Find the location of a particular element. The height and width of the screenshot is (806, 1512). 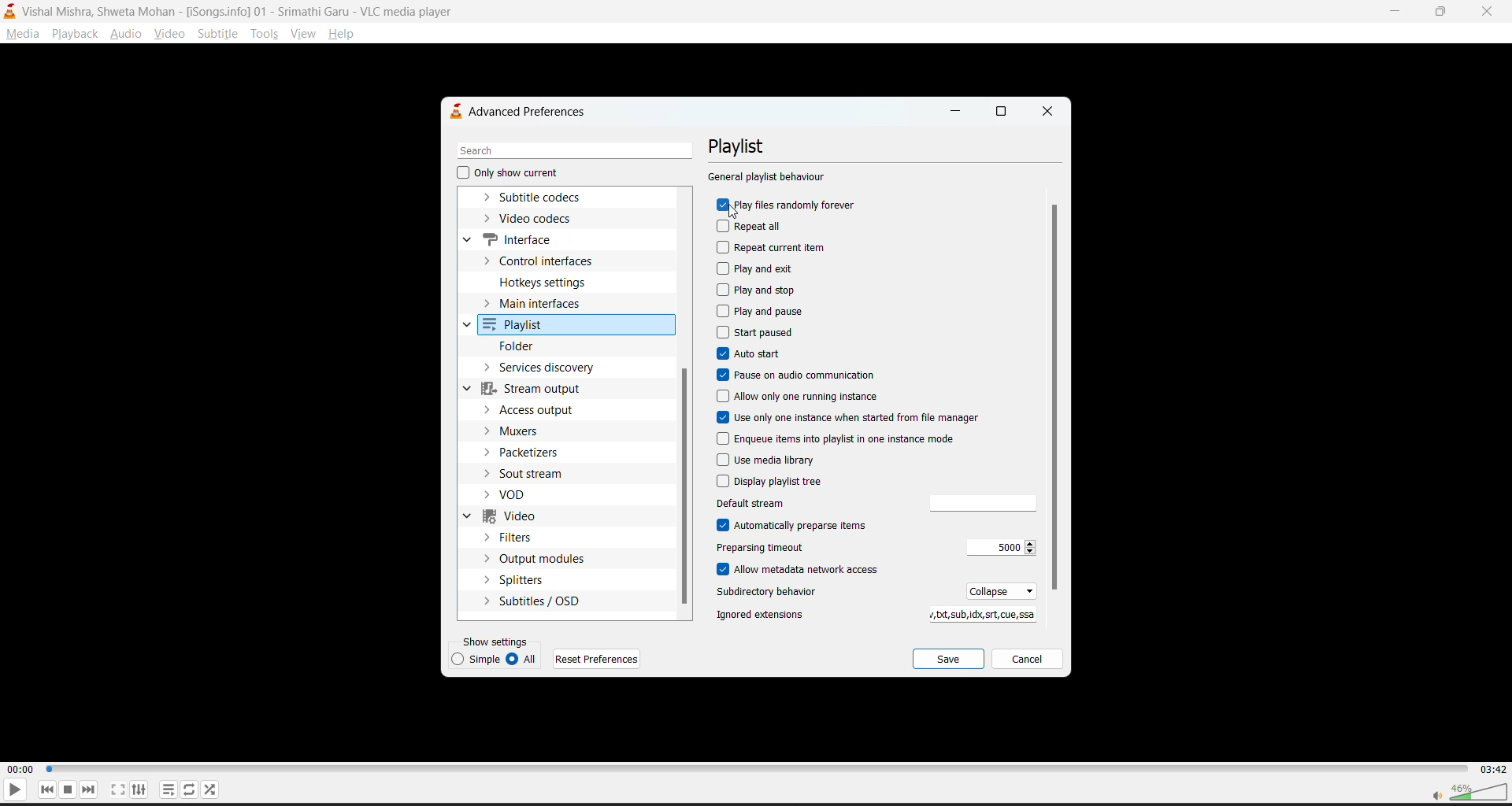

settings is located at coordinates (137, 790).